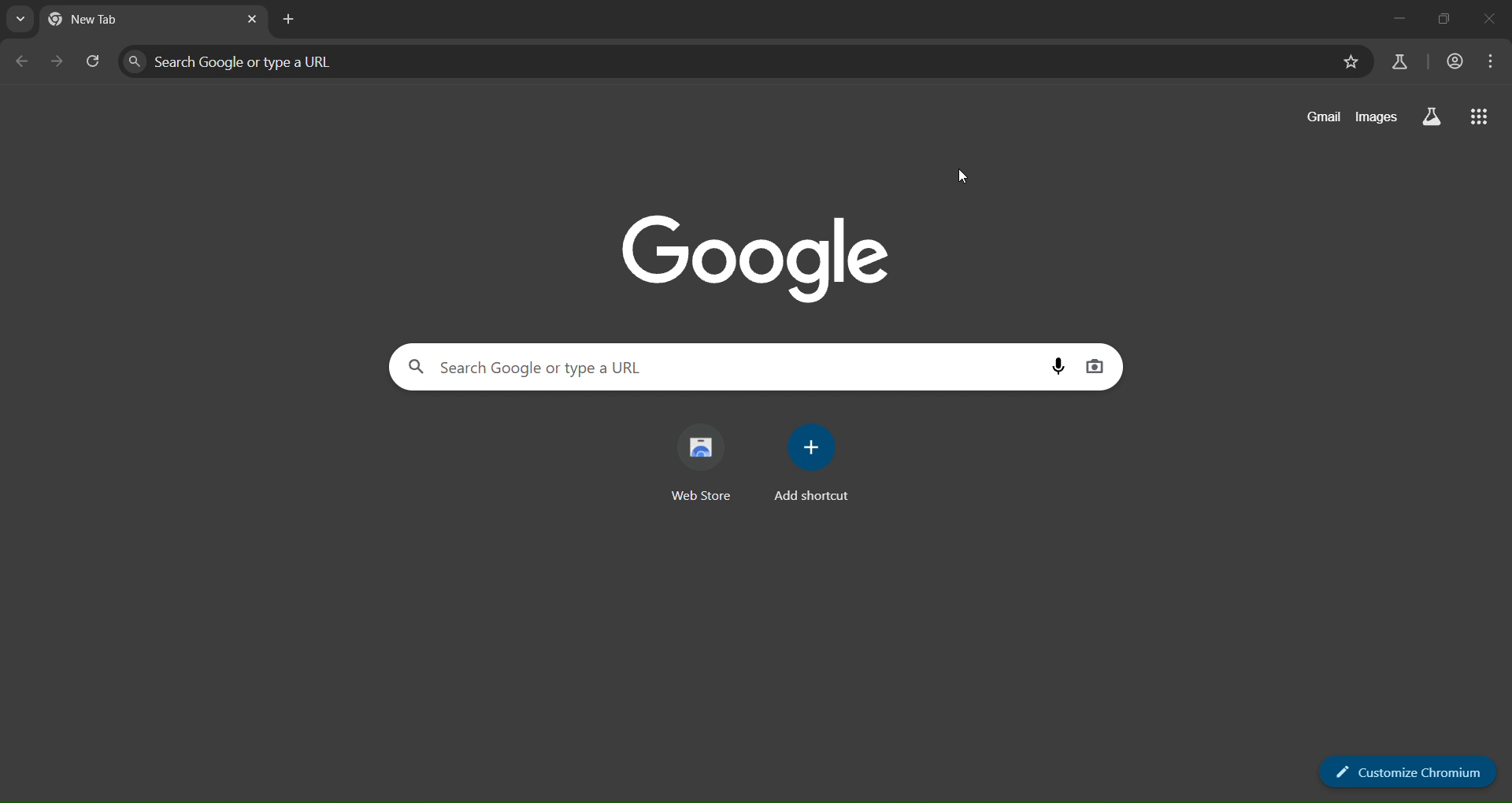  What do you see at coordinates (124, 22) in the screenshot?
I see `current tab` at bounding box center [124, 22].